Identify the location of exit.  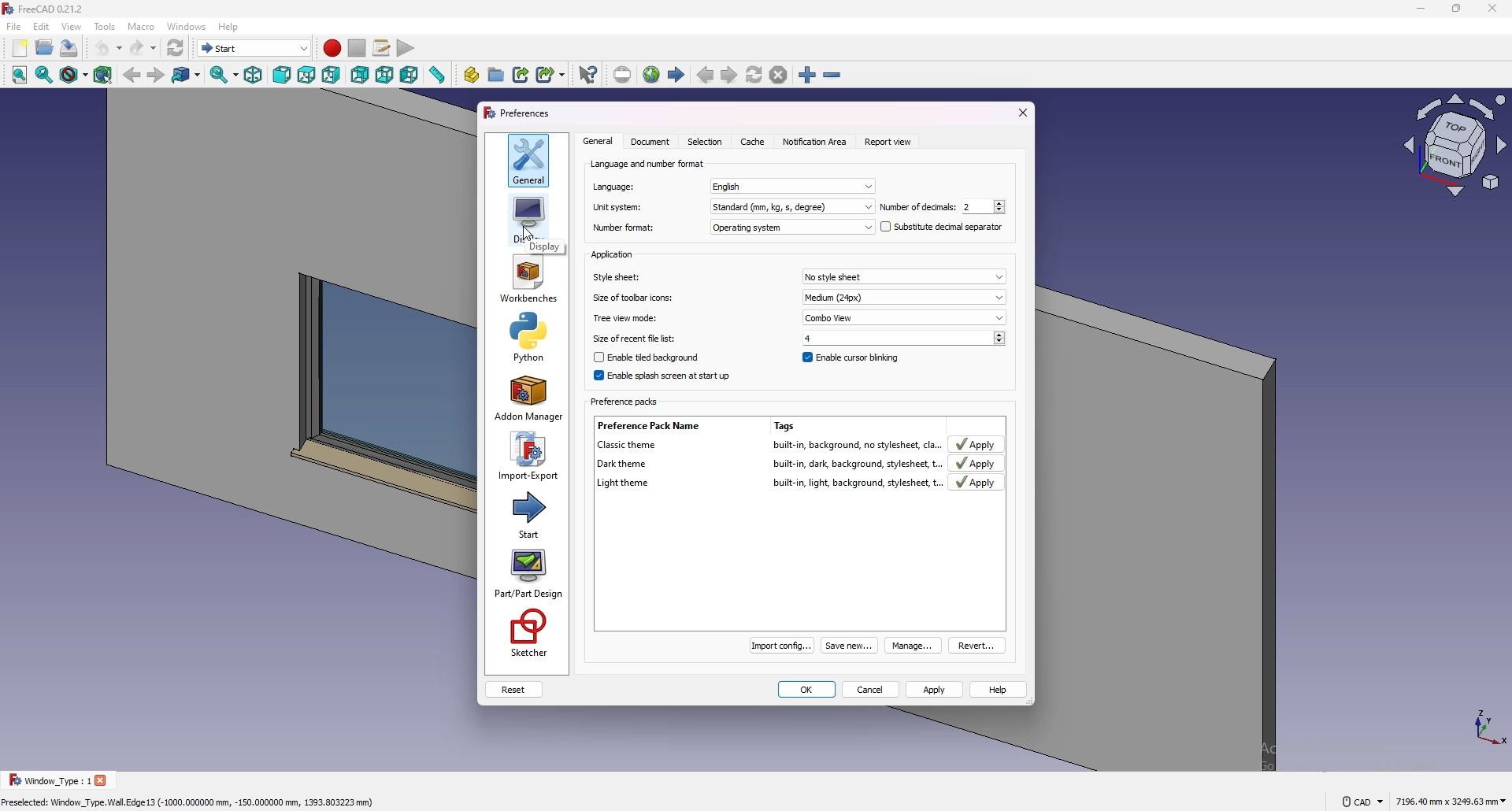
(1023, 111).